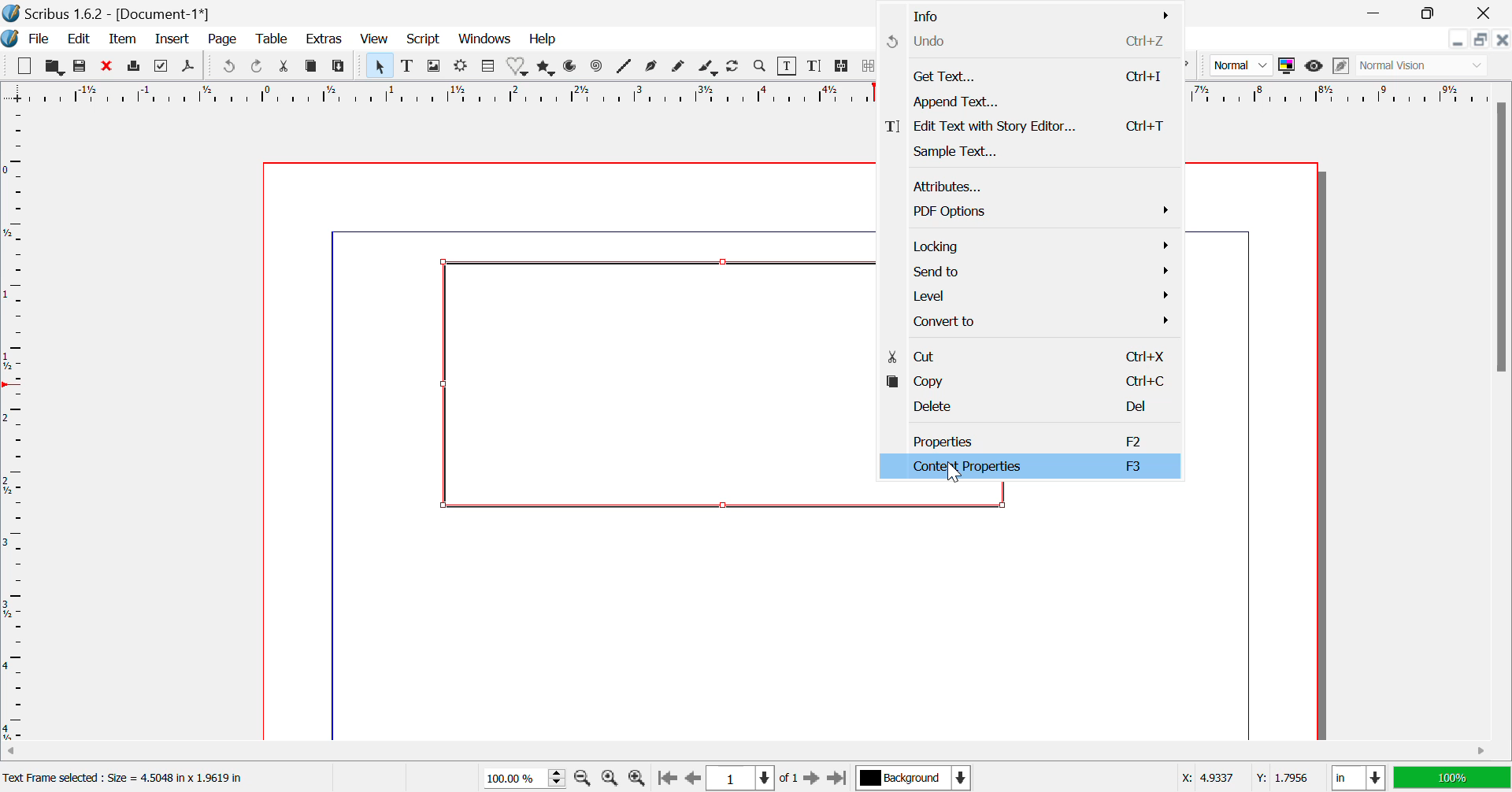 The image size is (1512, 792). Describe the element at coordinates (955, 473) in the screenshot. I see `Cursor` at that location.